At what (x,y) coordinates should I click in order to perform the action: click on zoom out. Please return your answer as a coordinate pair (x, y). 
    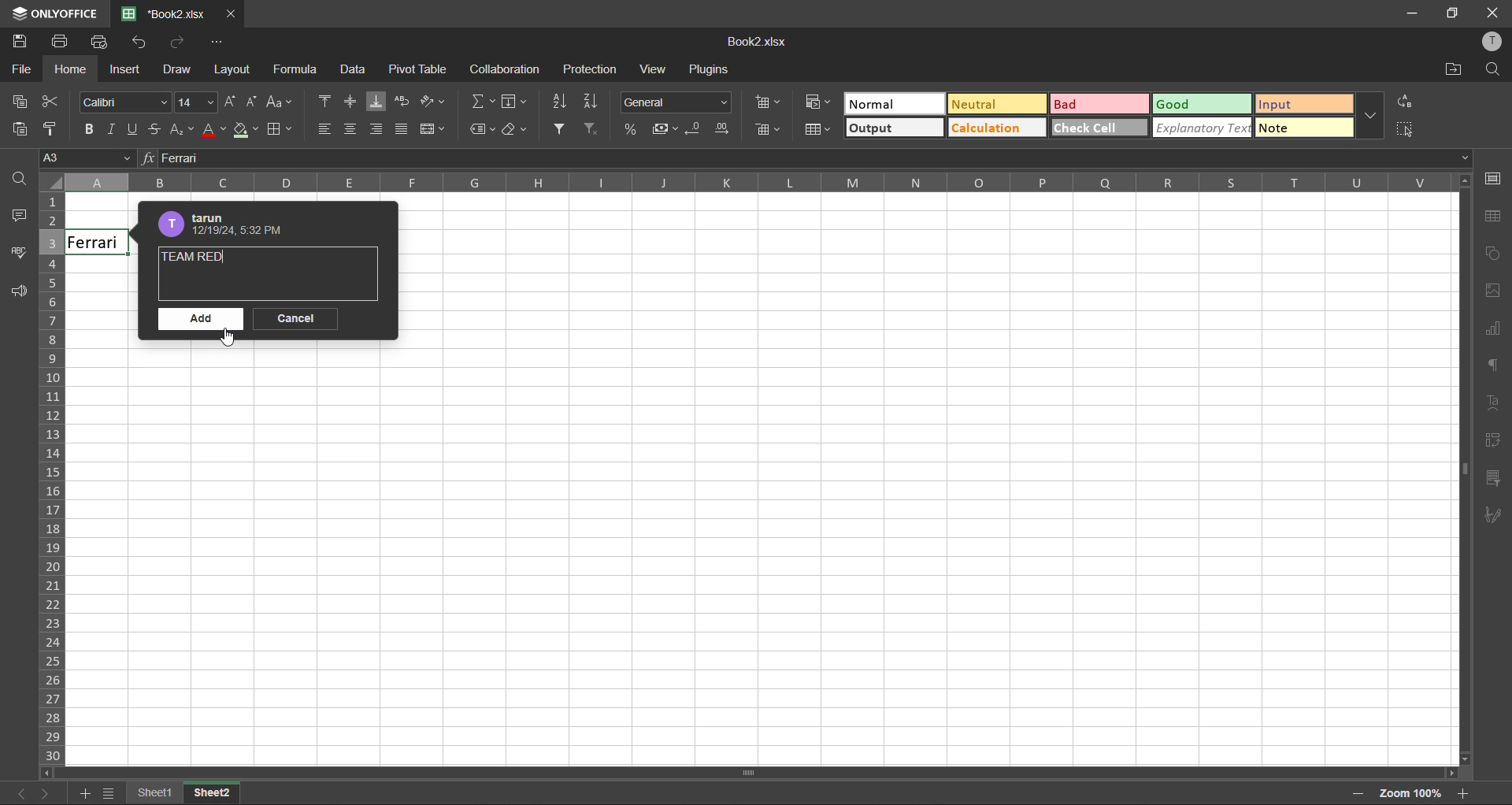
    Looking at the image, I should click on (1356, 796).